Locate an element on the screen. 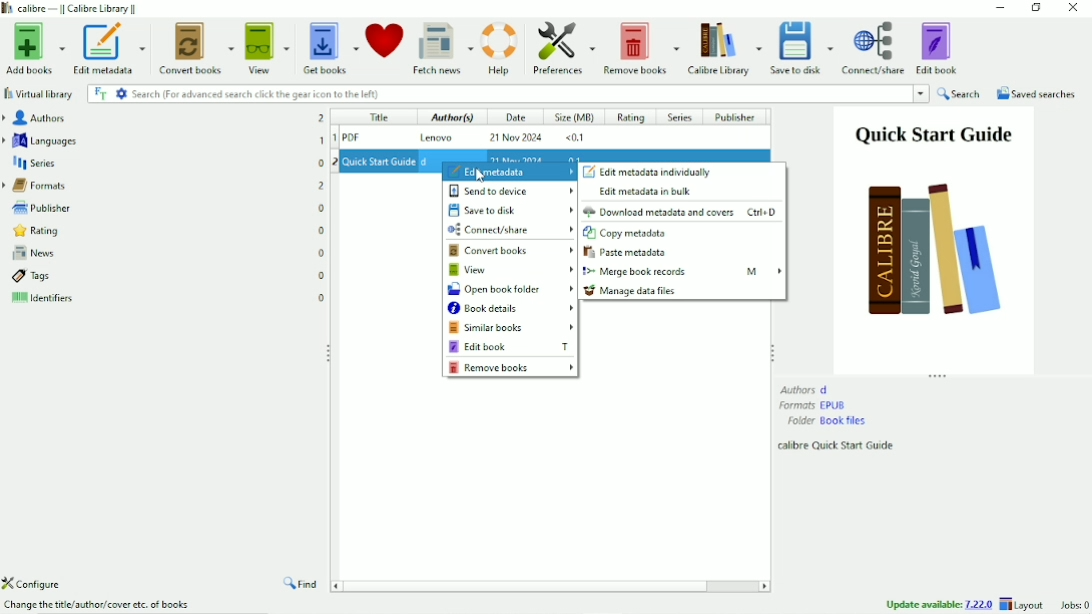 The height and width of the screenshot is (614, 1092). Paste metadata is located at coordinates (629, 253).